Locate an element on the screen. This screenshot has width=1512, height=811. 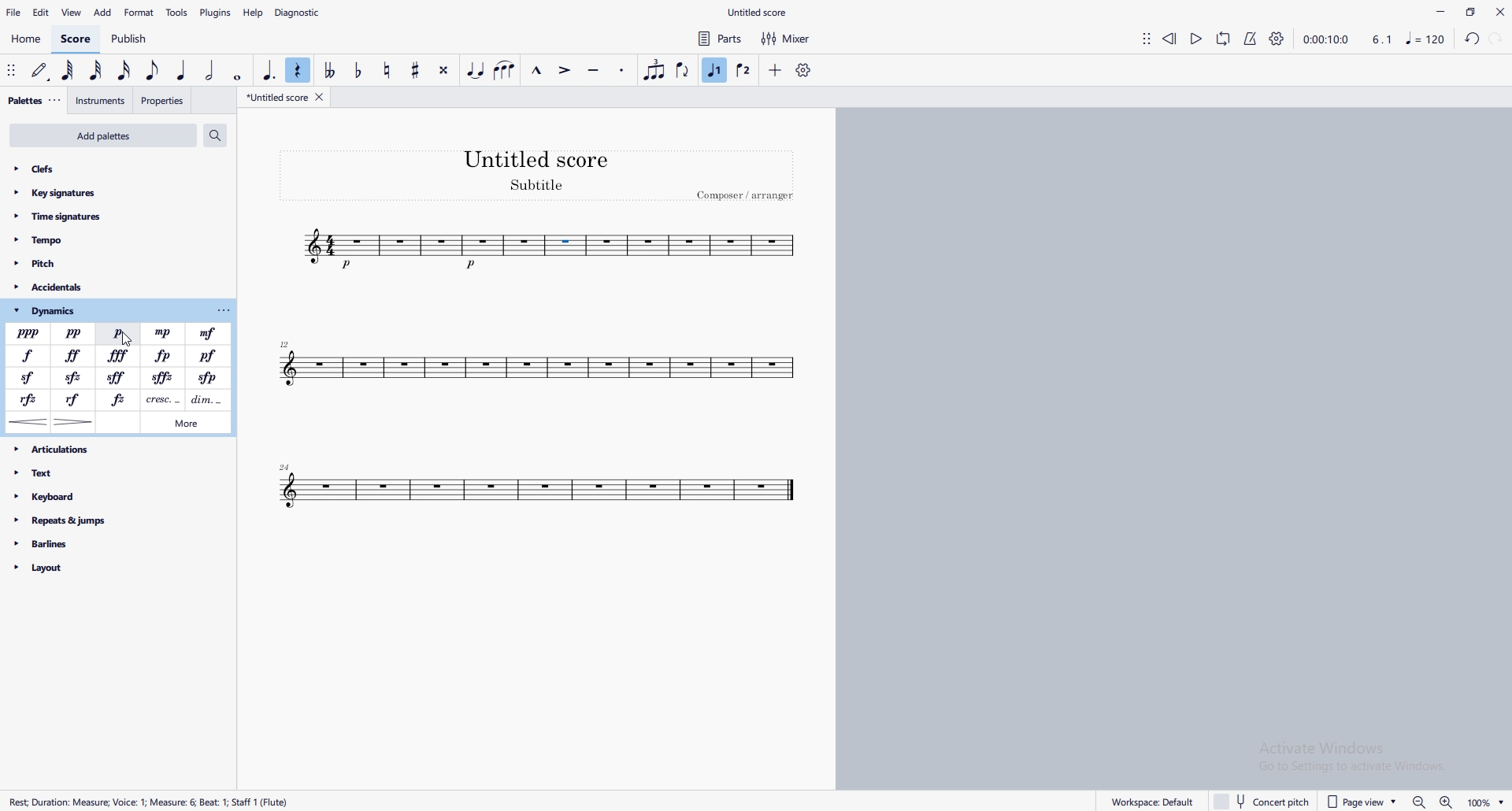
decrescendo hairpin is located at coordinates (74, 423).